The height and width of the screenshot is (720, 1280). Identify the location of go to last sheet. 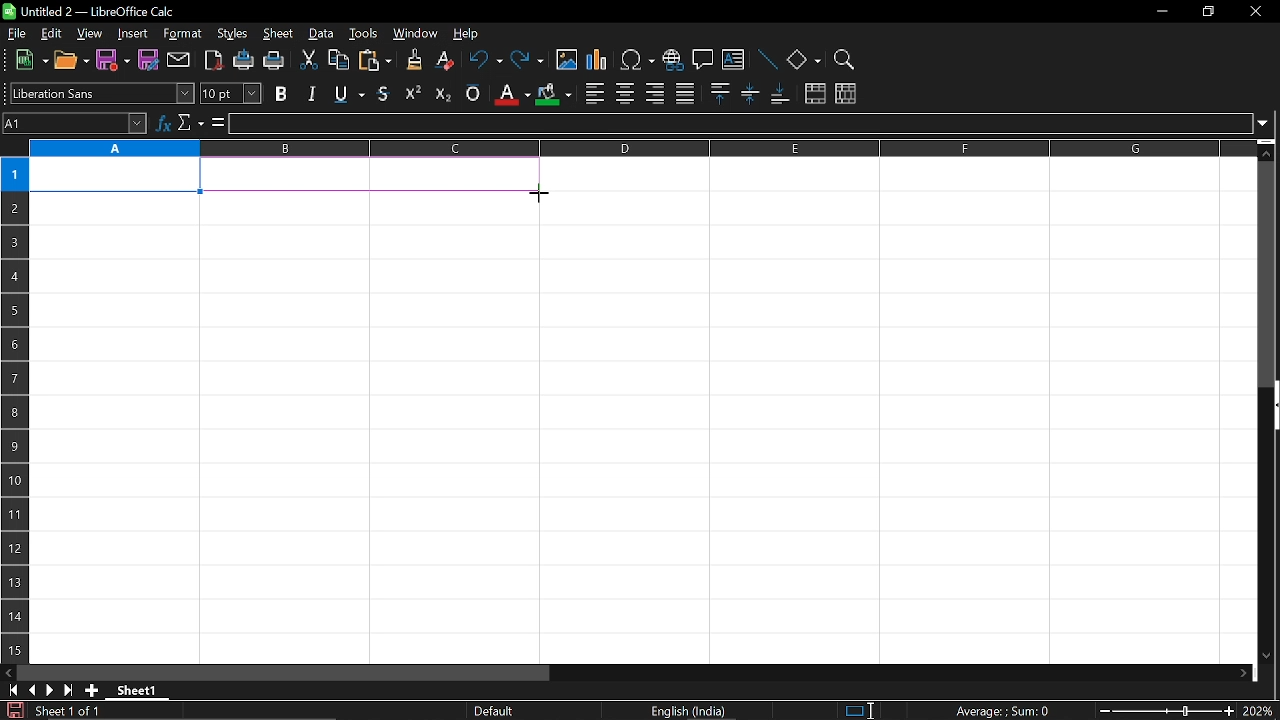
(66, 691).